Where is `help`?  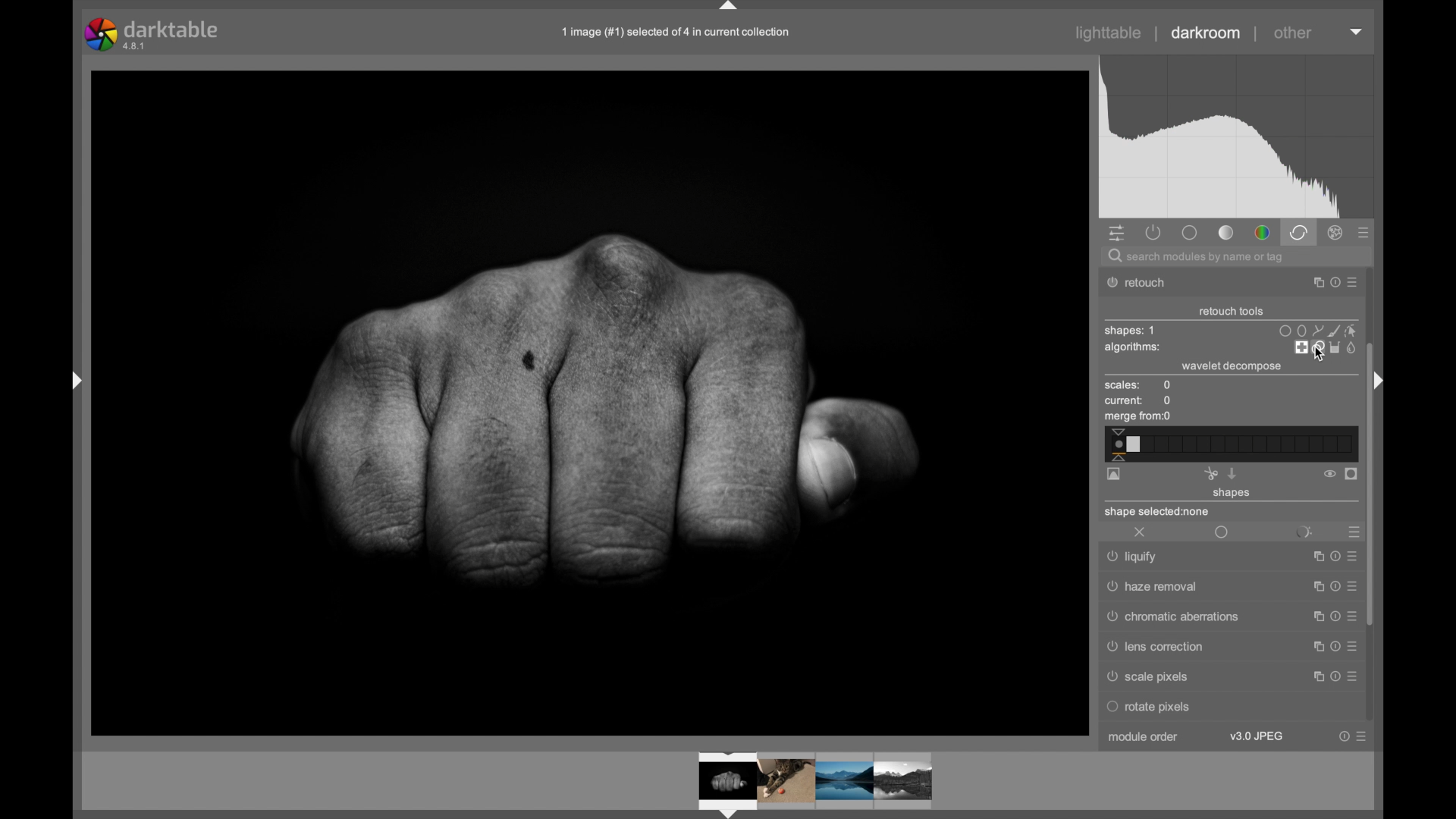
help is located at coordinates (1332, 676).